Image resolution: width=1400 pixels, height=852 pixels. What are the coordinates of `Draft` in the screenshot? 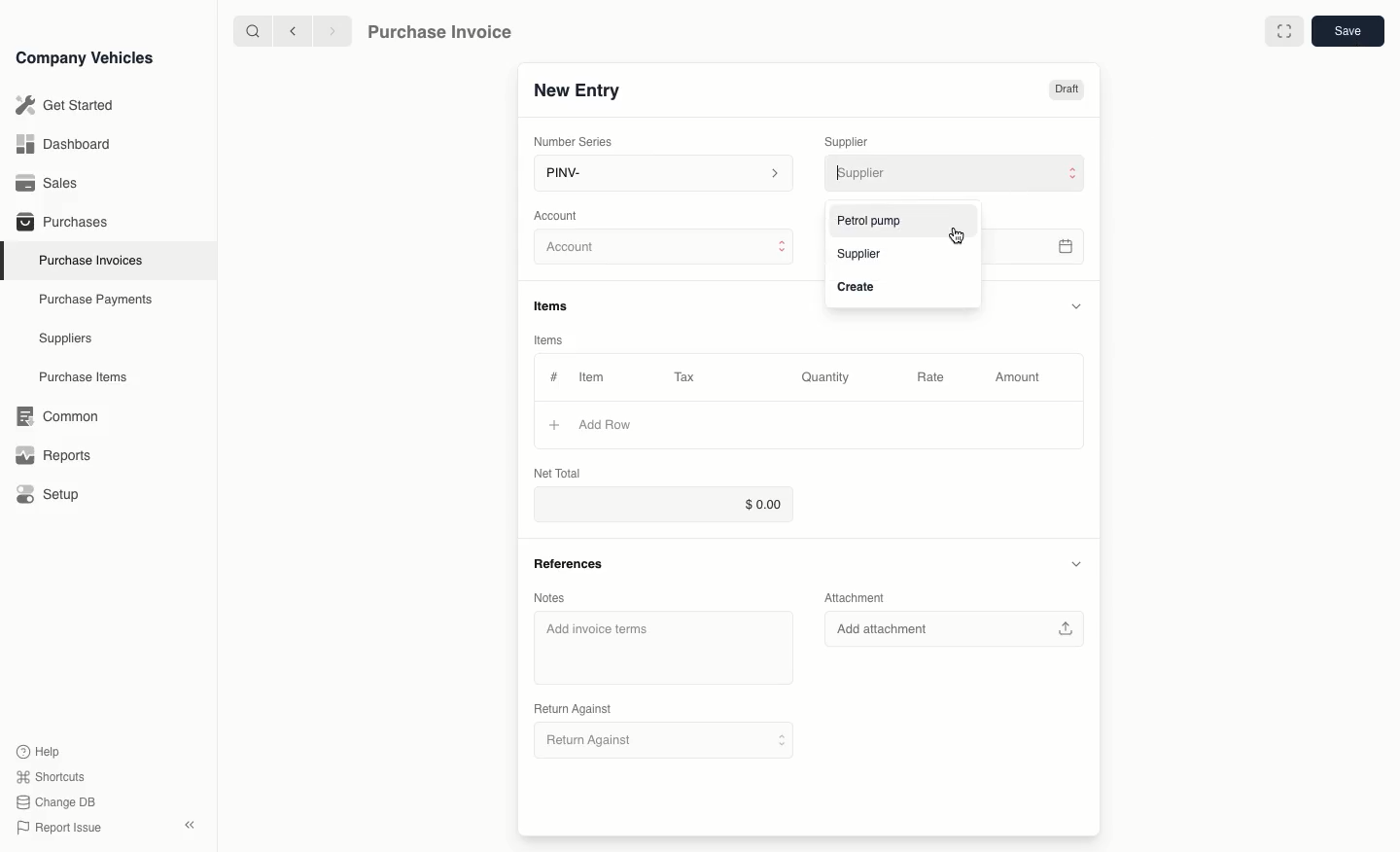 It's located at (1065, 88).